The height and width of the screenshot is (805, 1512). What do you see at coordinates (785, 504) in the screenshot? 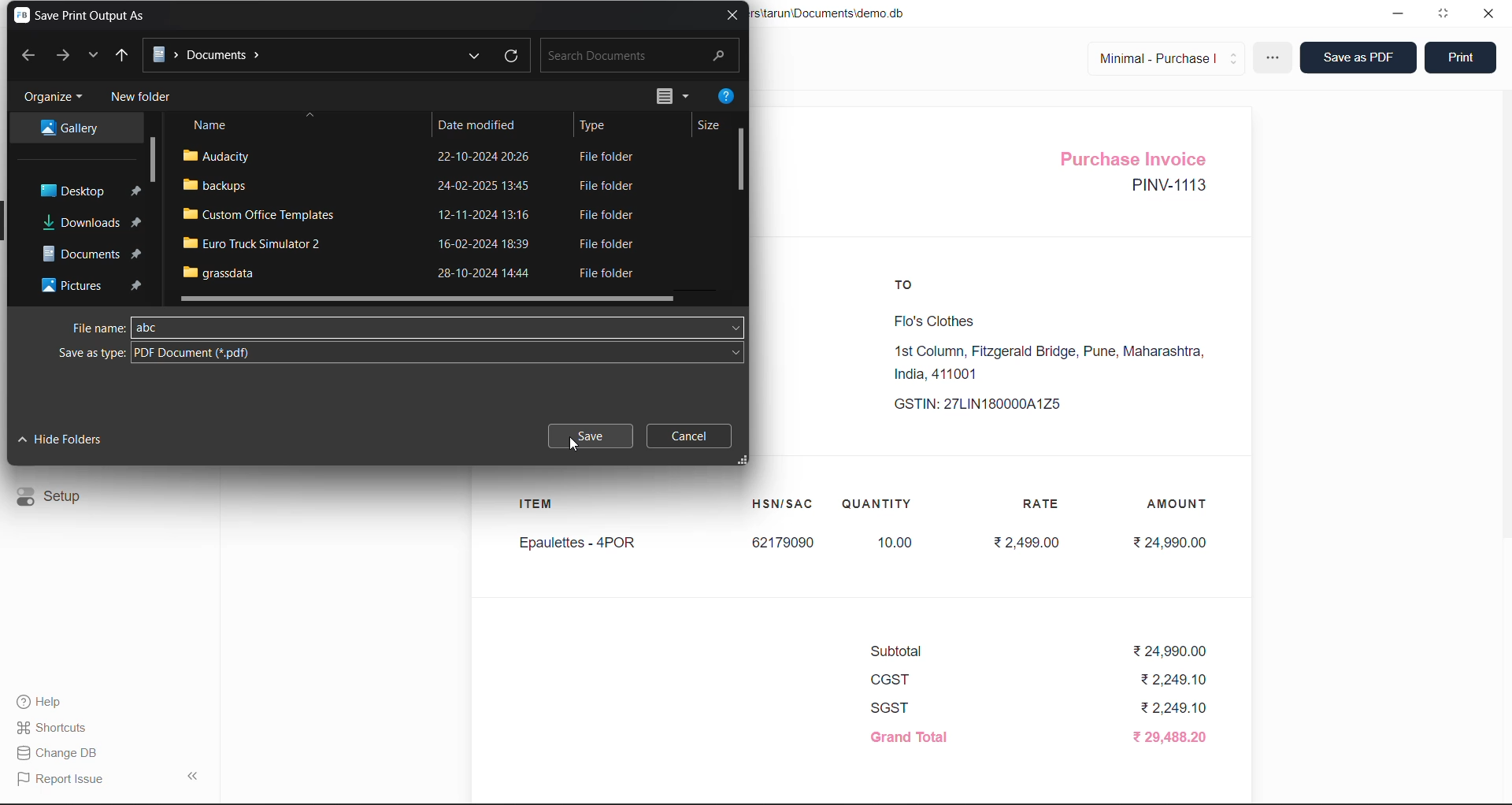
I see `HSN/SAC` at bounding box center [785, 504].